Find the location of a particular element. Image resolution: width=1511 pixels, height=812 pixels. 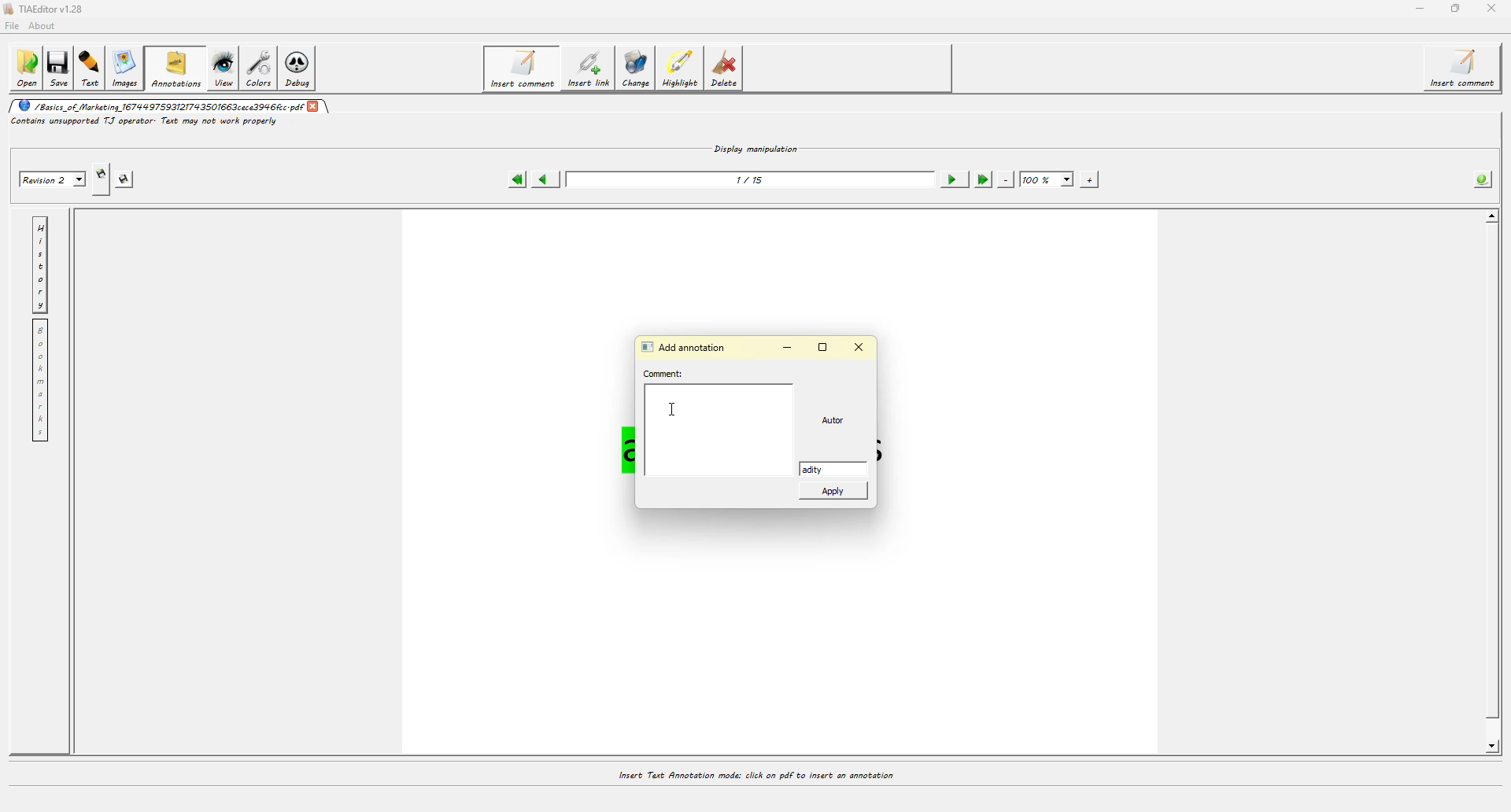

Revision 2 is located at coordinates (50, 178).